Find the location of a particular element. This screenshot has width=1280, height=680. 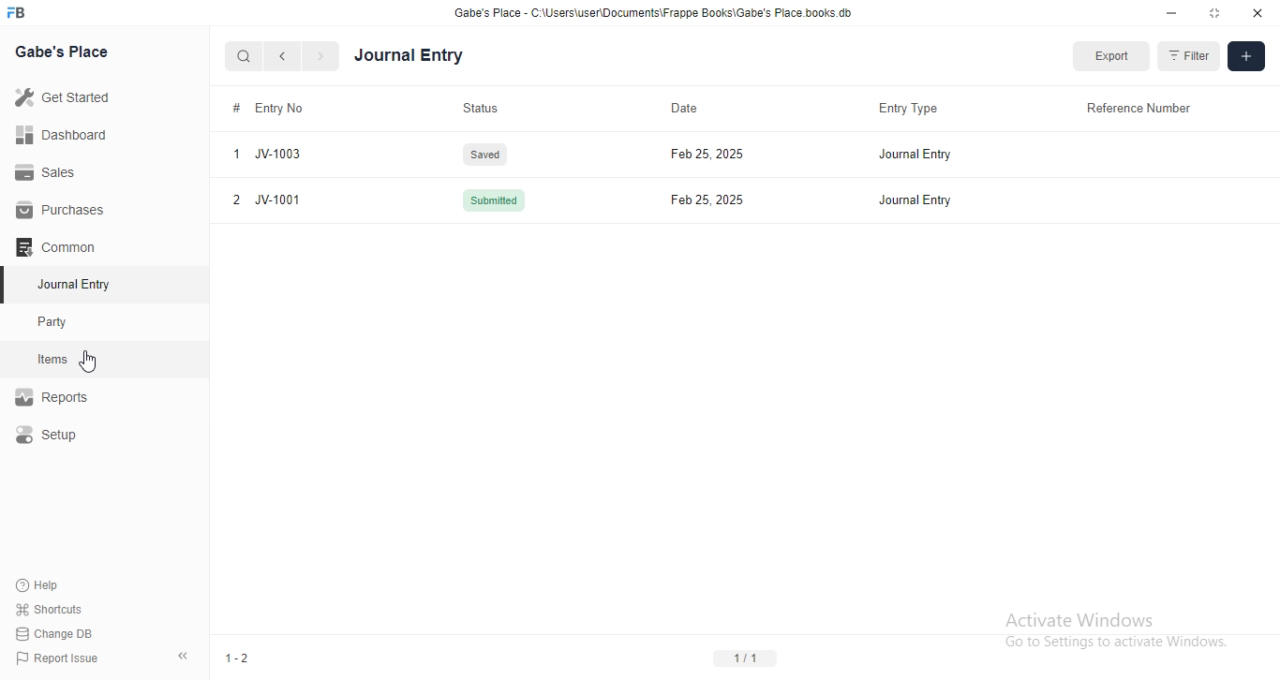

Gabe's Place is located at coordinates (66, 52).